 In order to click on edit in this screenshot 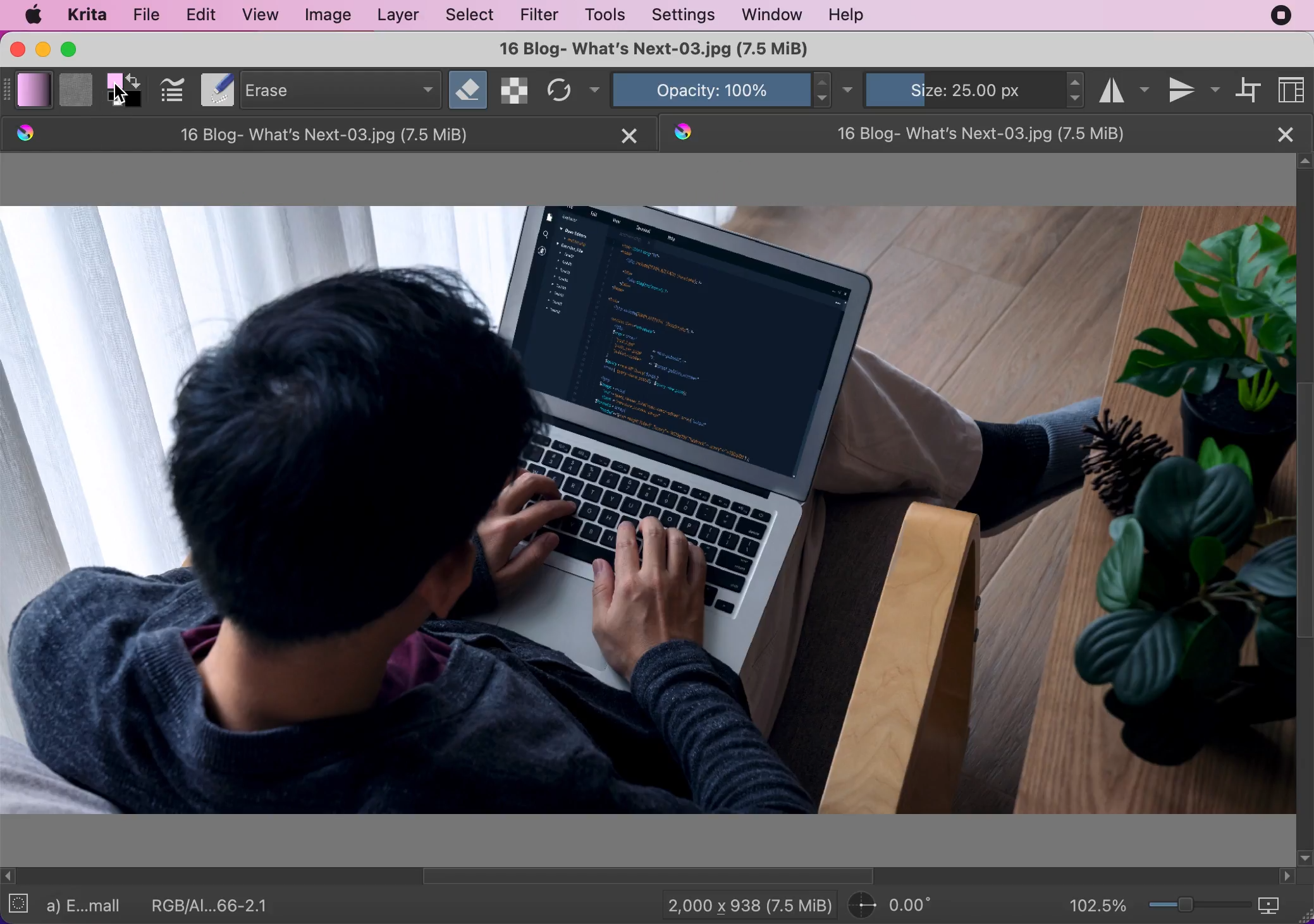, I will do `click(204, 15)`.